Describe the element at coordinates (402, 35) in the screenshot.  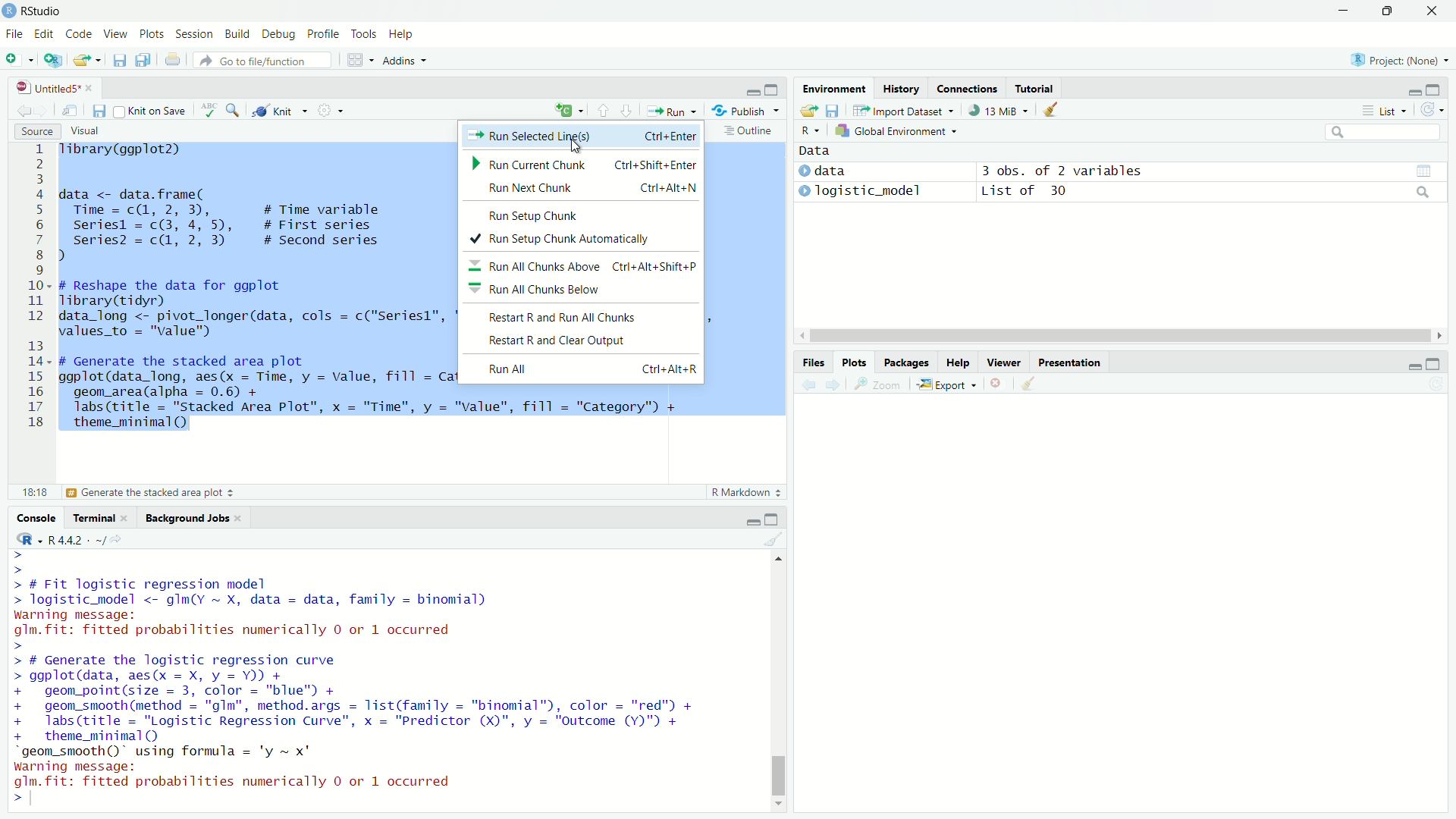
I see `Help` at that location.